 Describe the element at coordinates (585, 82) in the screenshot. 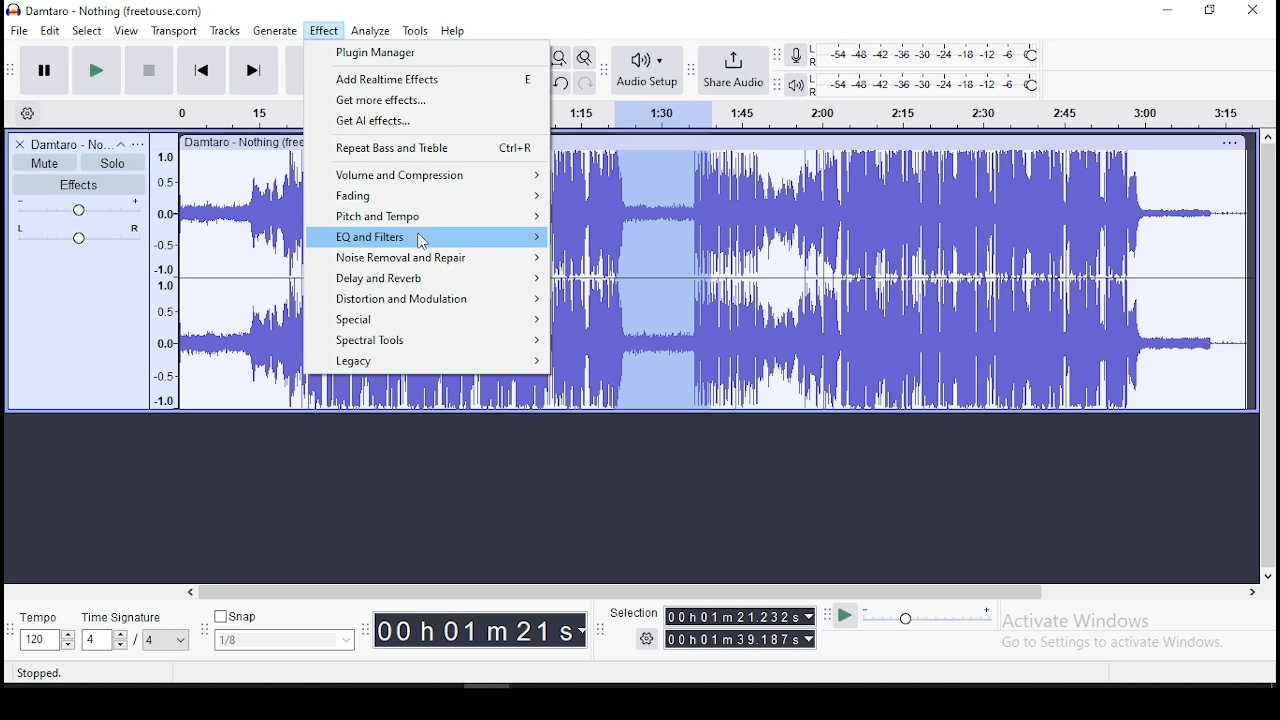

I see `redo` at that location.